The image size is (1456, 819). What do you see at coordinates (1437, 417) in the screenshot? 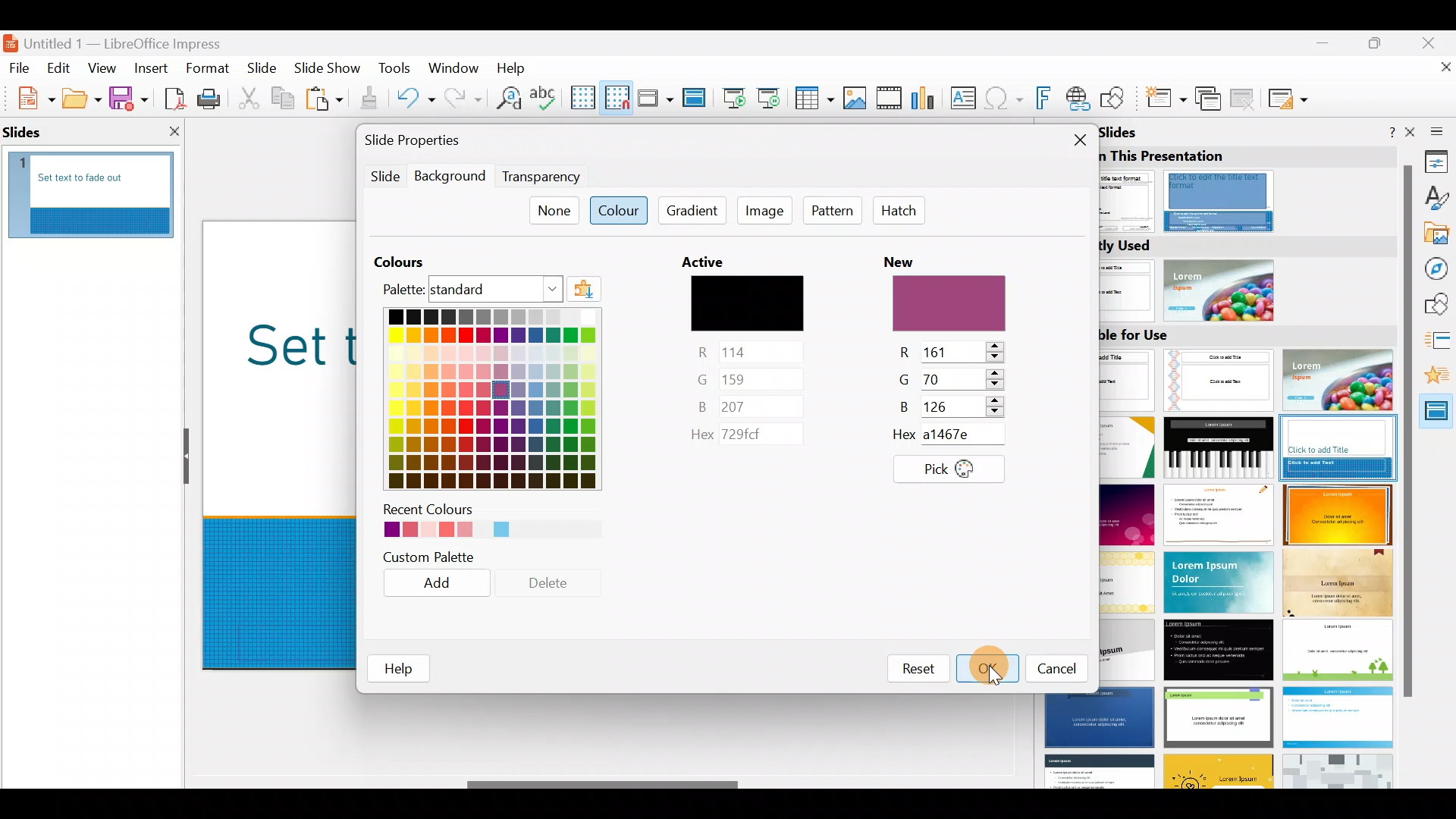
I see `Master slides` at bounding box center [1437, 417].